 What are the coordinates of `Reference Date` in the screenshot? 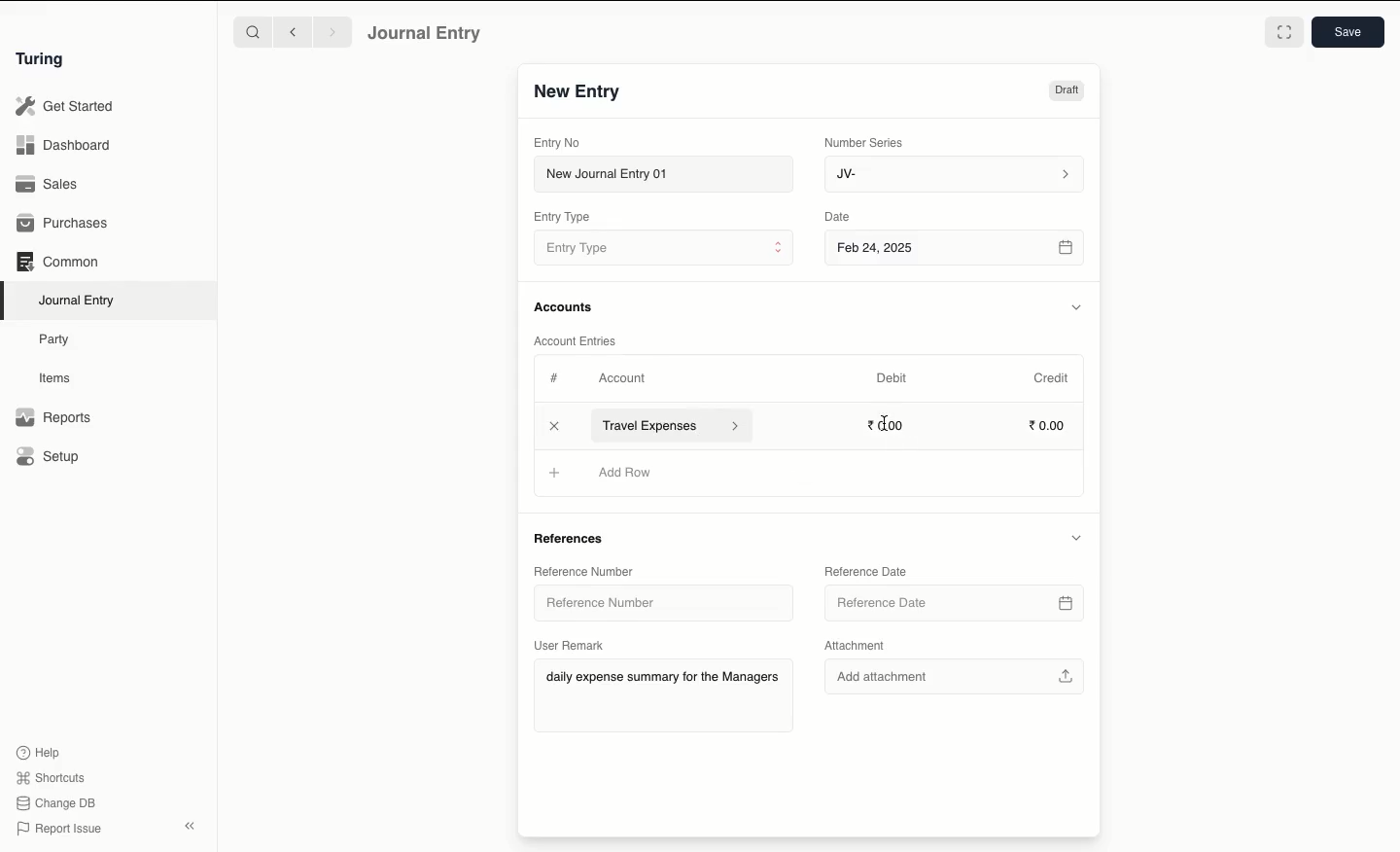 It's located at (957, 598).